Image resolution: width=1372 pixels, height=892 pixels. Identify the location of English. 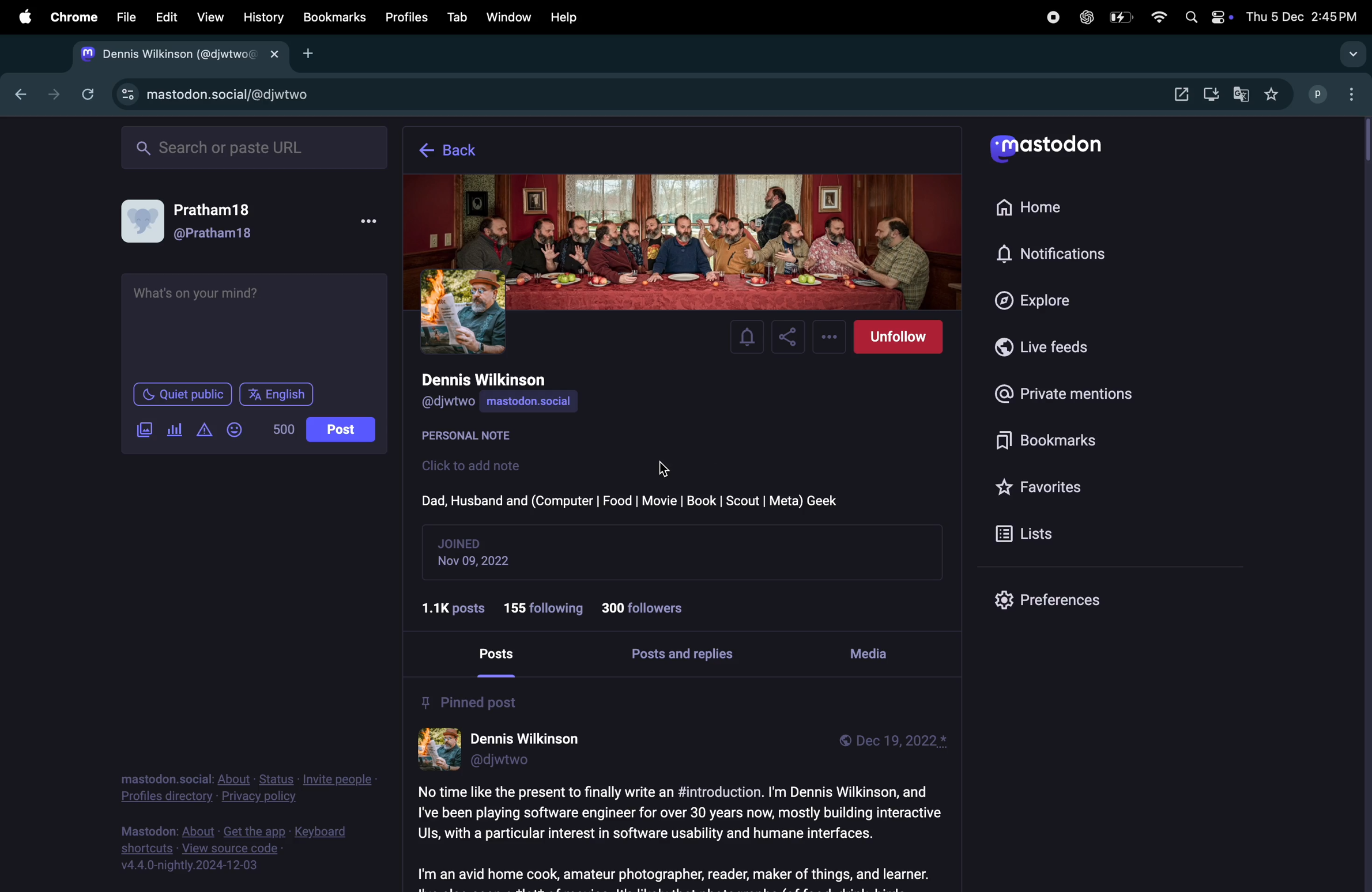
(277, 394).